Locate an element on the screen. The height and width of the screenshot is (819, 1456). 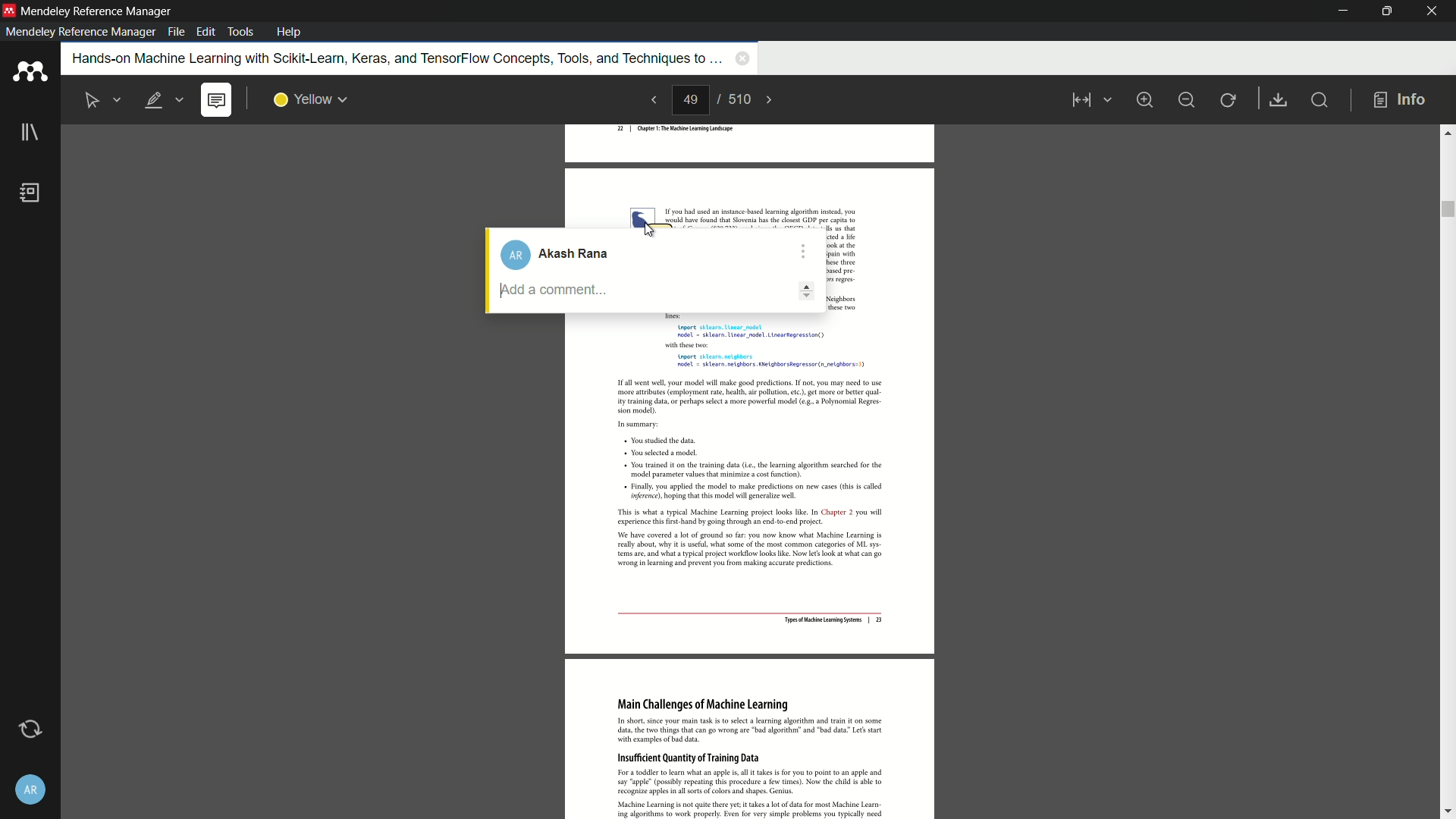
help menu is located at coordinates (290, 32).